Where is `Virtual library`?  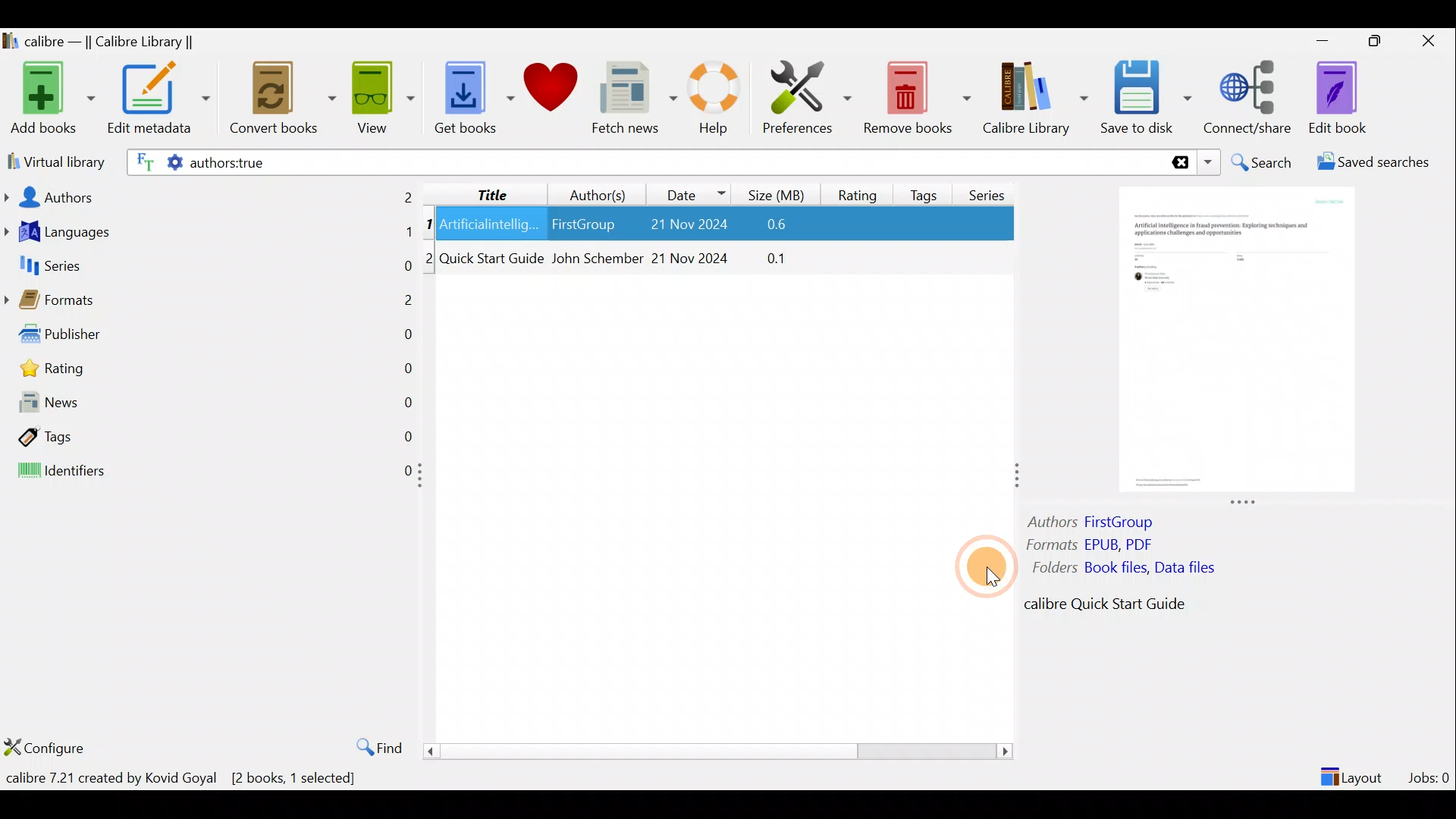
Virtual library is located at coordinates (53, 160).